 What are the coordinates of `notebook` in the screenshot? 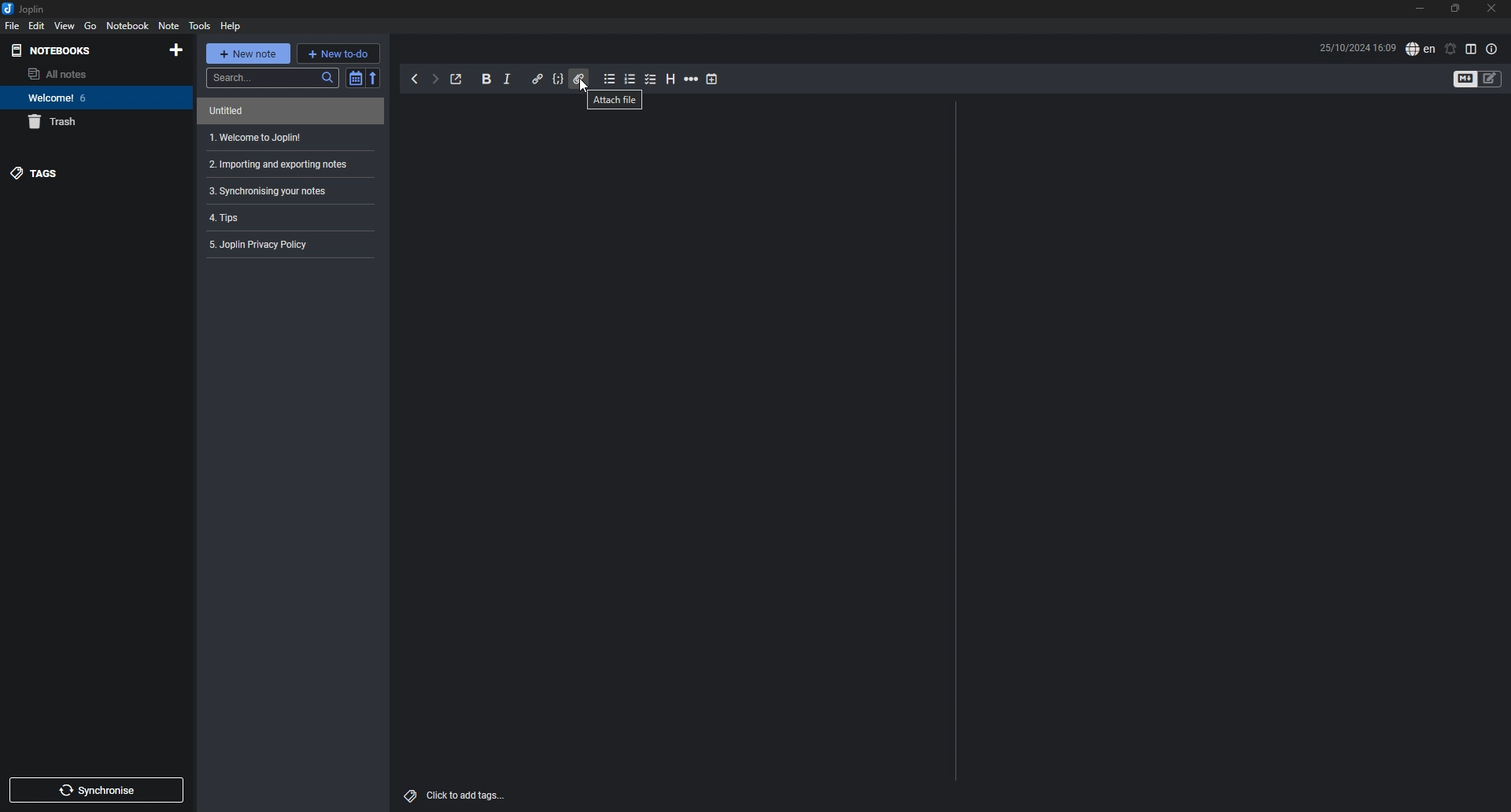 It's located at (129, 25).